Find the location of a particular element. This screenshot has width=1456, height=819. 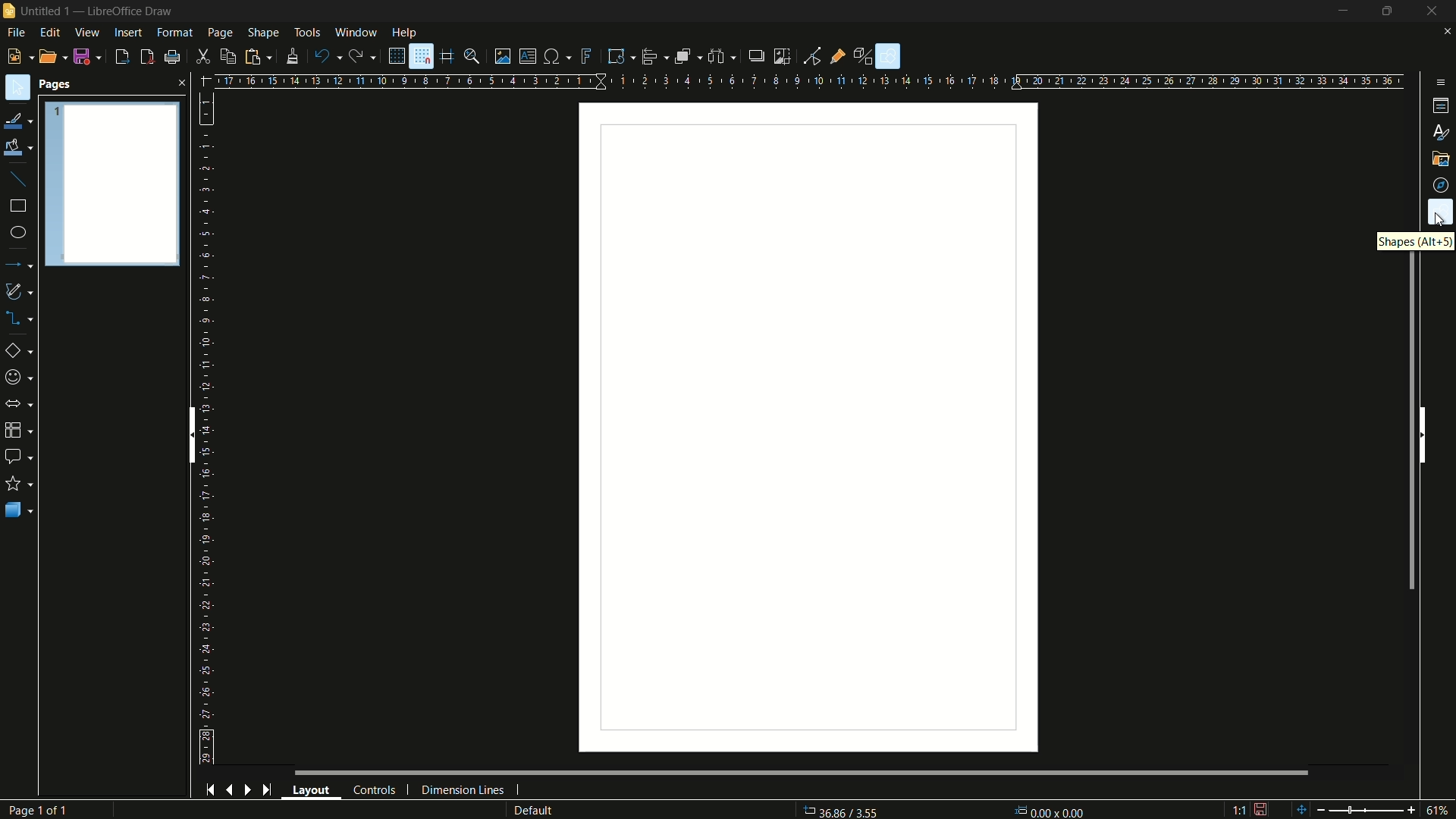

default is located at coordinates (554, 810).